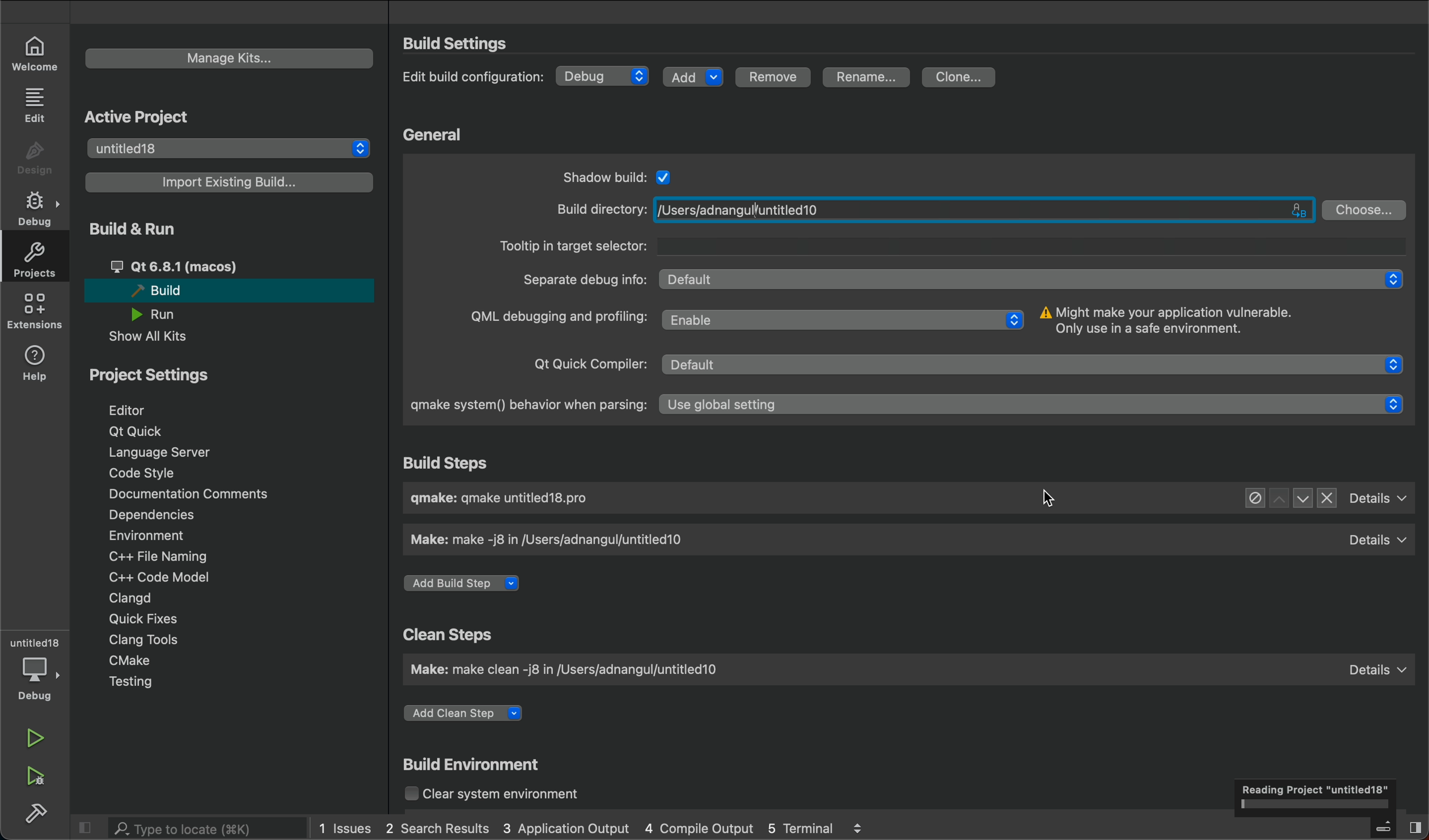 The image size is (1429, 840). Describe the element at coordinates (152, 116) in the screenshot. I see `active project                    ` at that location.